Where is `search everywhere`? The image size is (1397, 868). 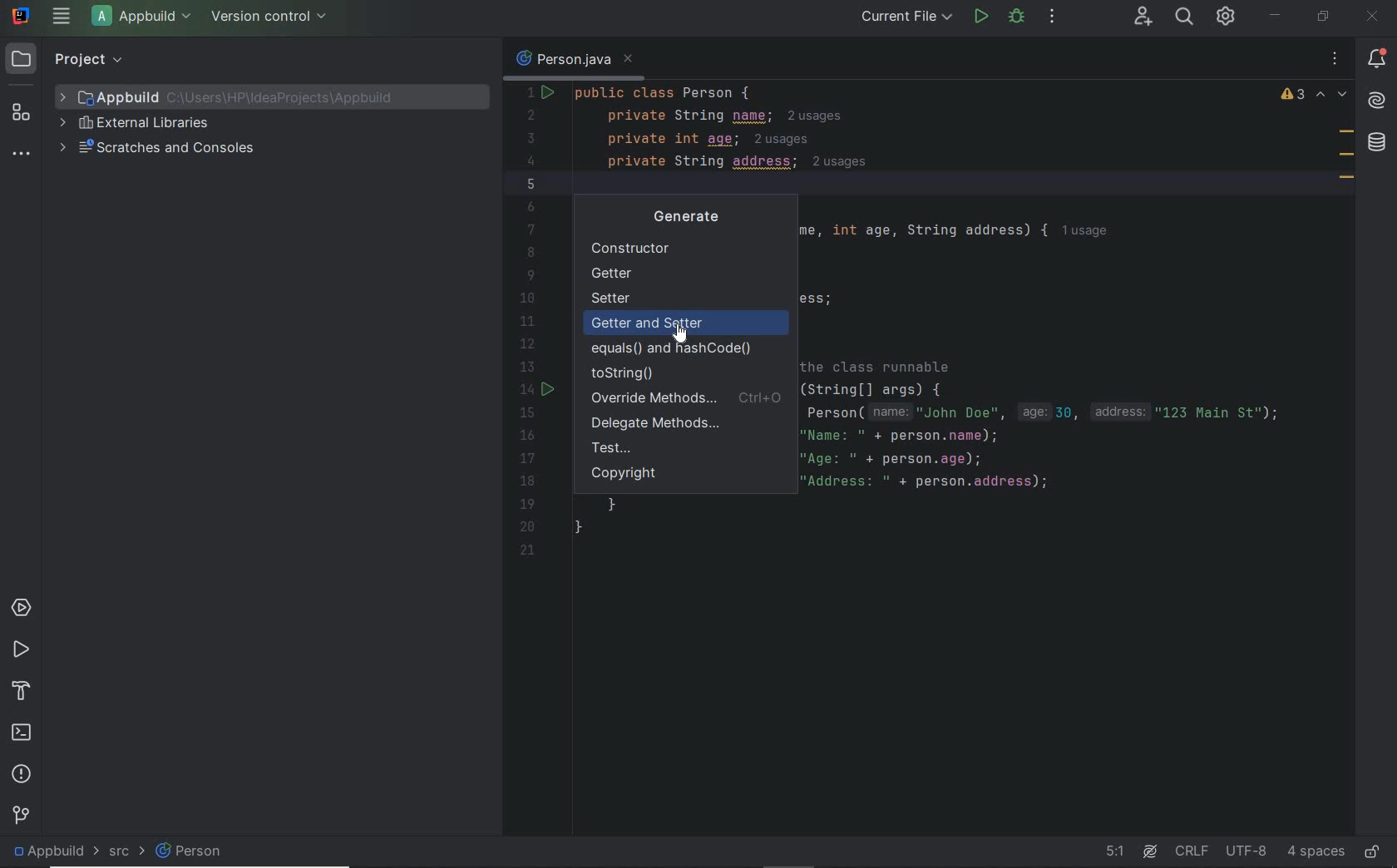
search everywhere is located at coordinates (1186, 18).